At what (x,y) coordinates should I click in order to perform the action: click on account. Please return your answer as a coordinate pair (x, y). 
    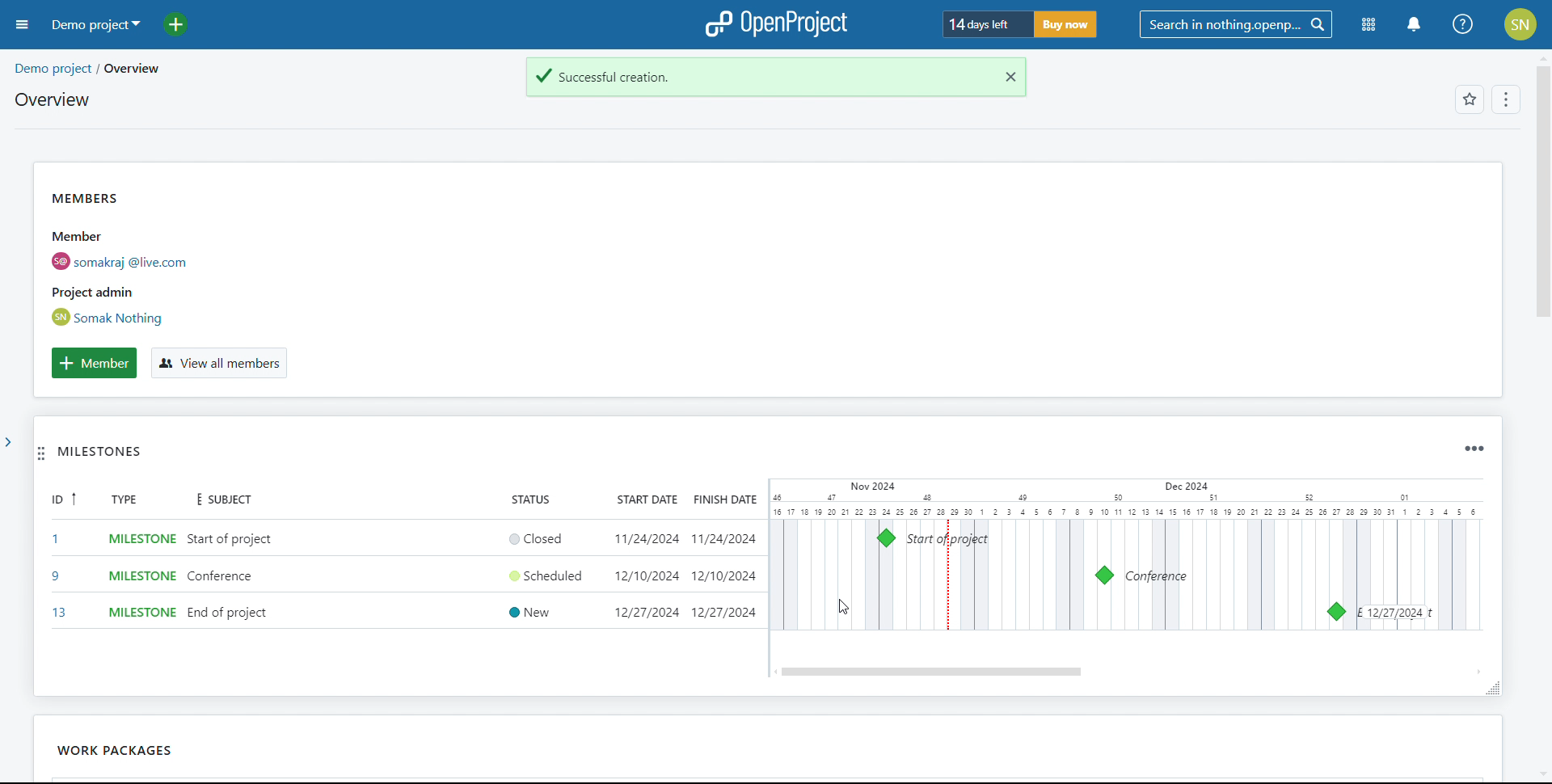
    Looking at the image, I should click on (1521, 24).